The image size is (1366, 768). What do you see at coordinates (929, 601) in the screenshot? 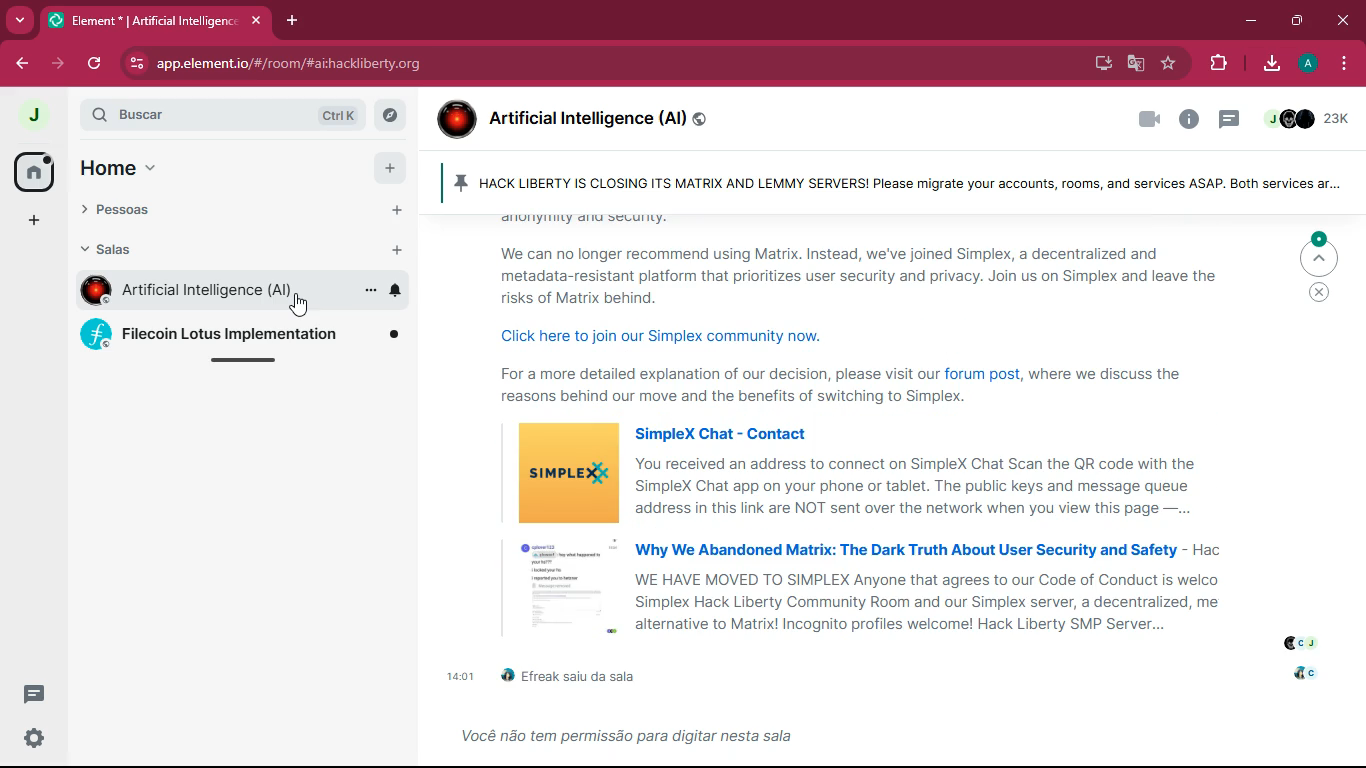
I see `WE HAVE MOVED TO SIMPLEX Anyone that agrees to our Code of Conduct is welco Simplex Hack Liberty Community Room and our Simplex server, a decentralized, me alternative to Matrix! Incognito profiles welcome! Hack Liberty SMP Server...` at bounding box center [929, 601].